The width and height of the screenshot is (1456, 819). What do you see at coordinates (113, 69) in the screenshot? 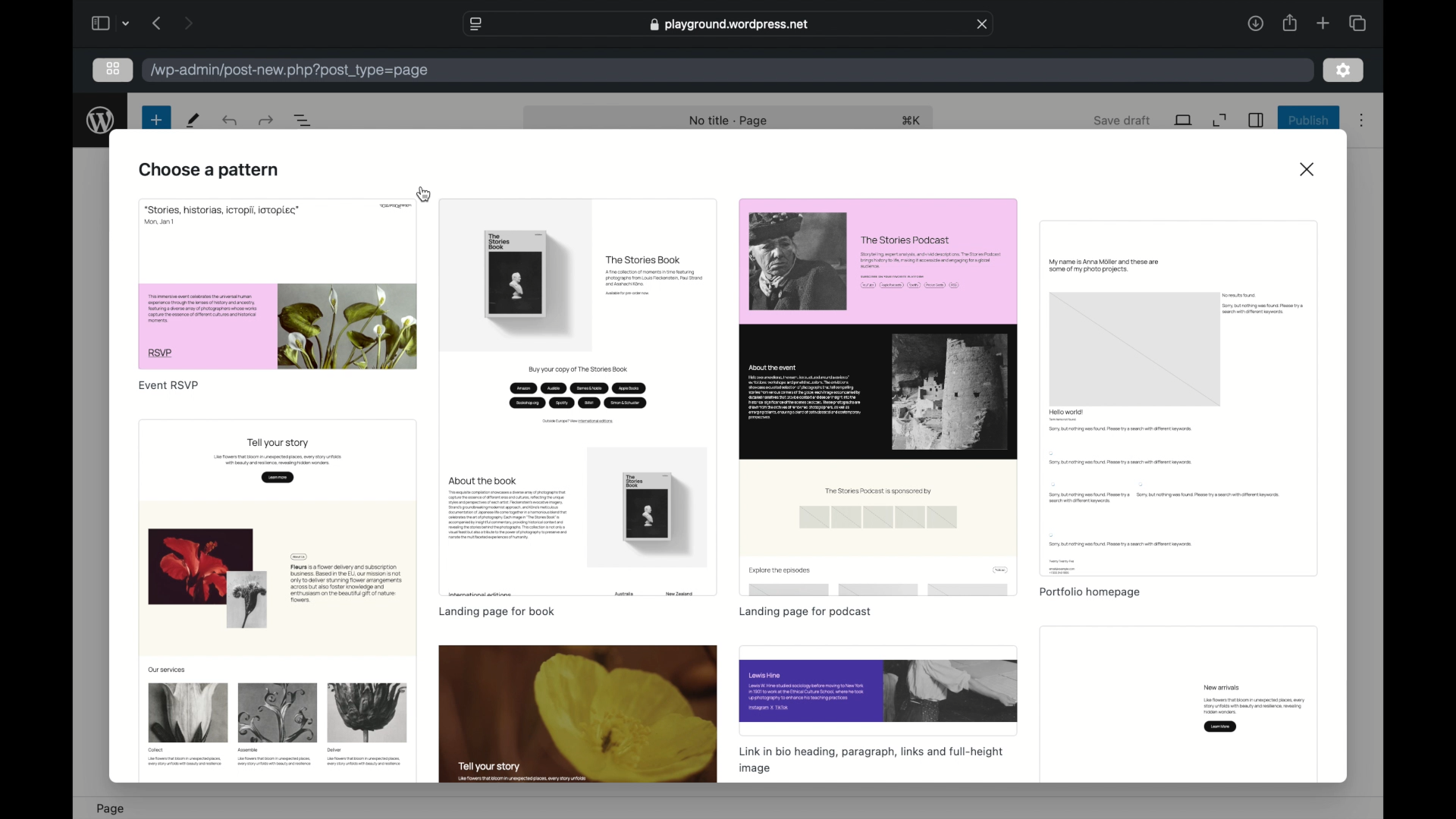
I see `grid view` at bounding box center [113, 69].